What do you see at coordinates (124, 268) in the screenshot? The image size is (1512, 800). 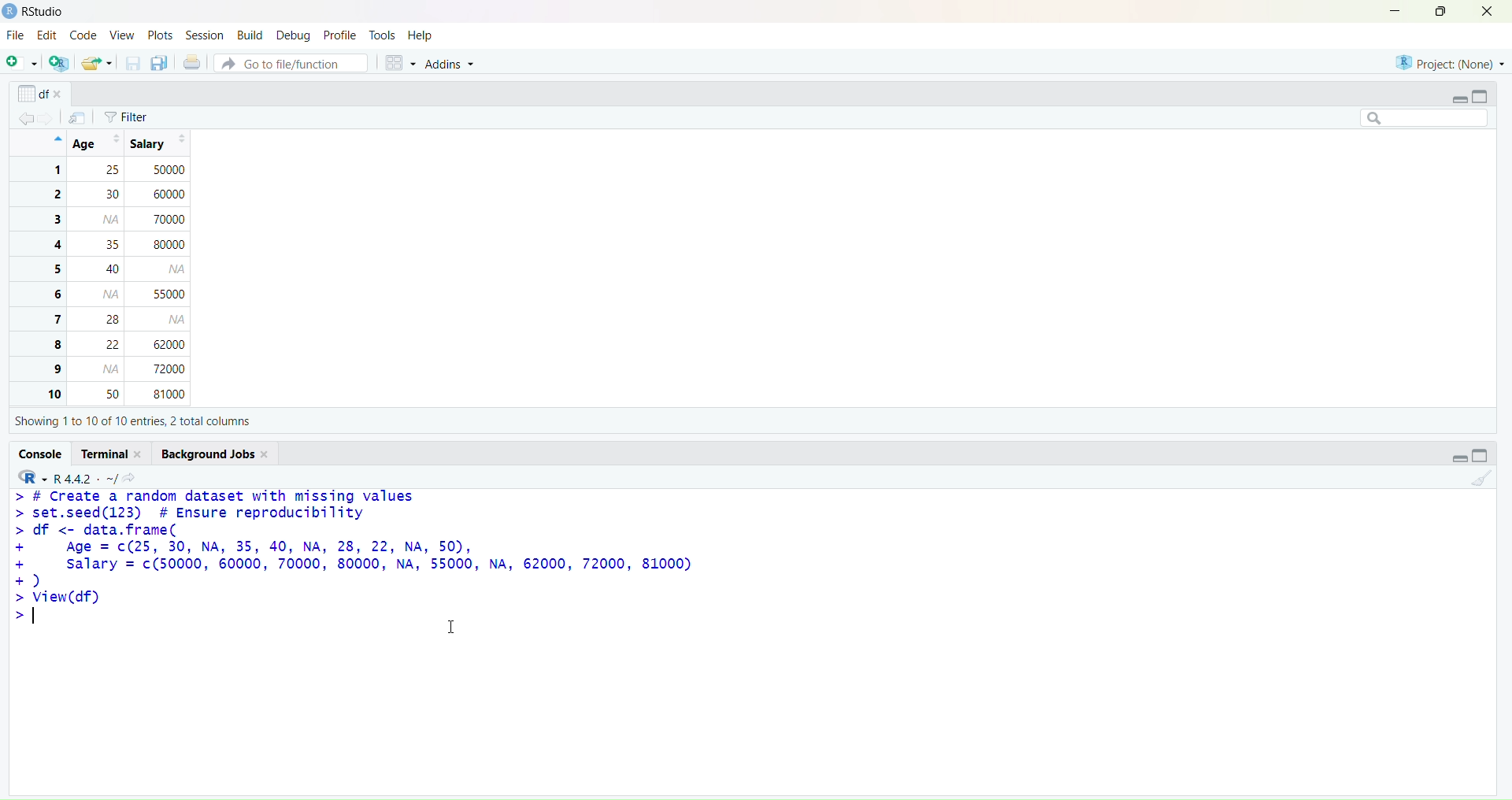 I see `Age Salary
1 25 50000
2 30 60000
3 N 70000
4 35 80000
5 40 NA
6 NA 55000
7 28 NA
8 22 62000
9 N 72000
10 50 81000` at bounding box center [124, 268].